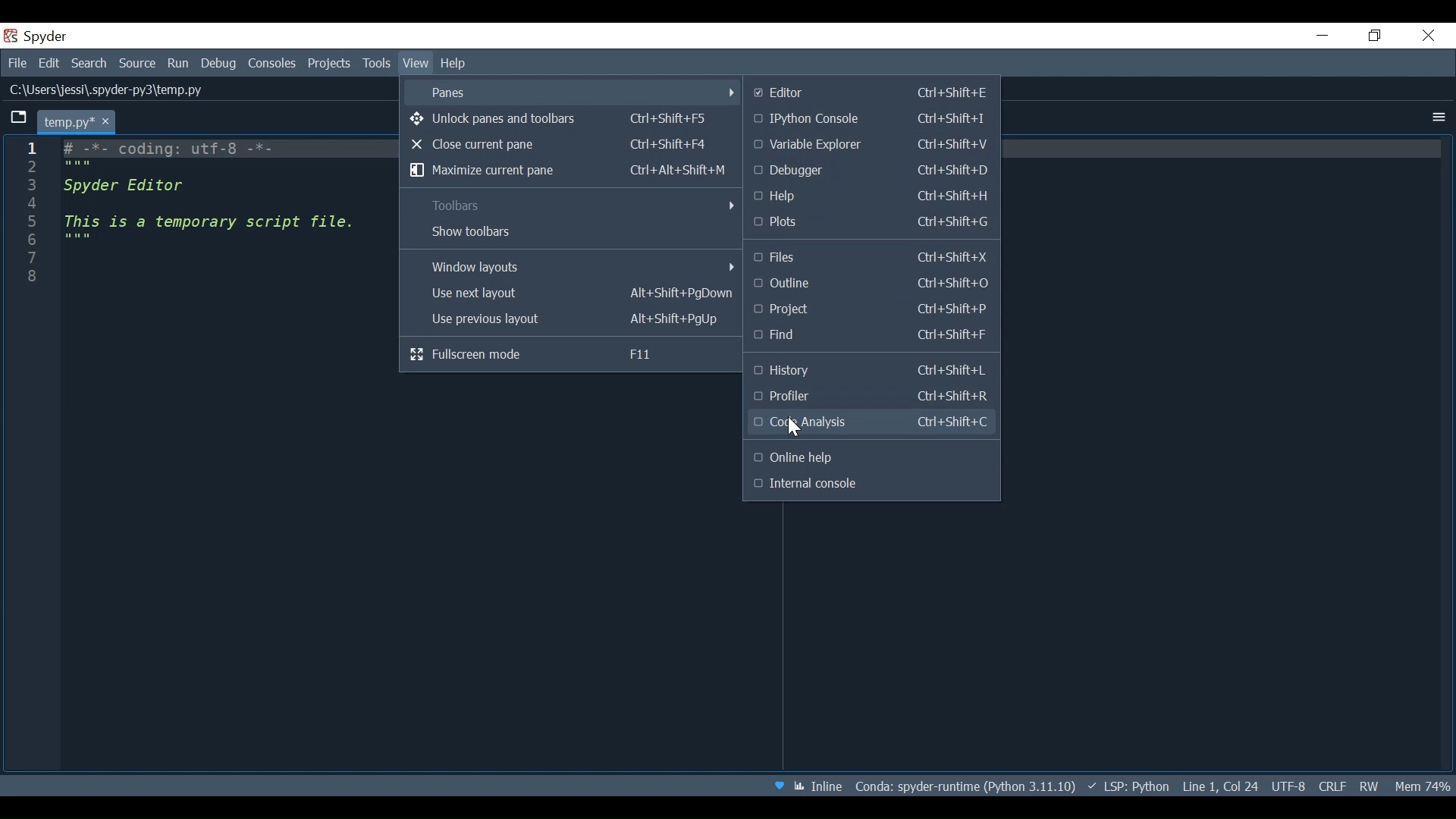  Describe the element at coordinates (871, 171) in the screenshot. I see `Debugger` at that location.